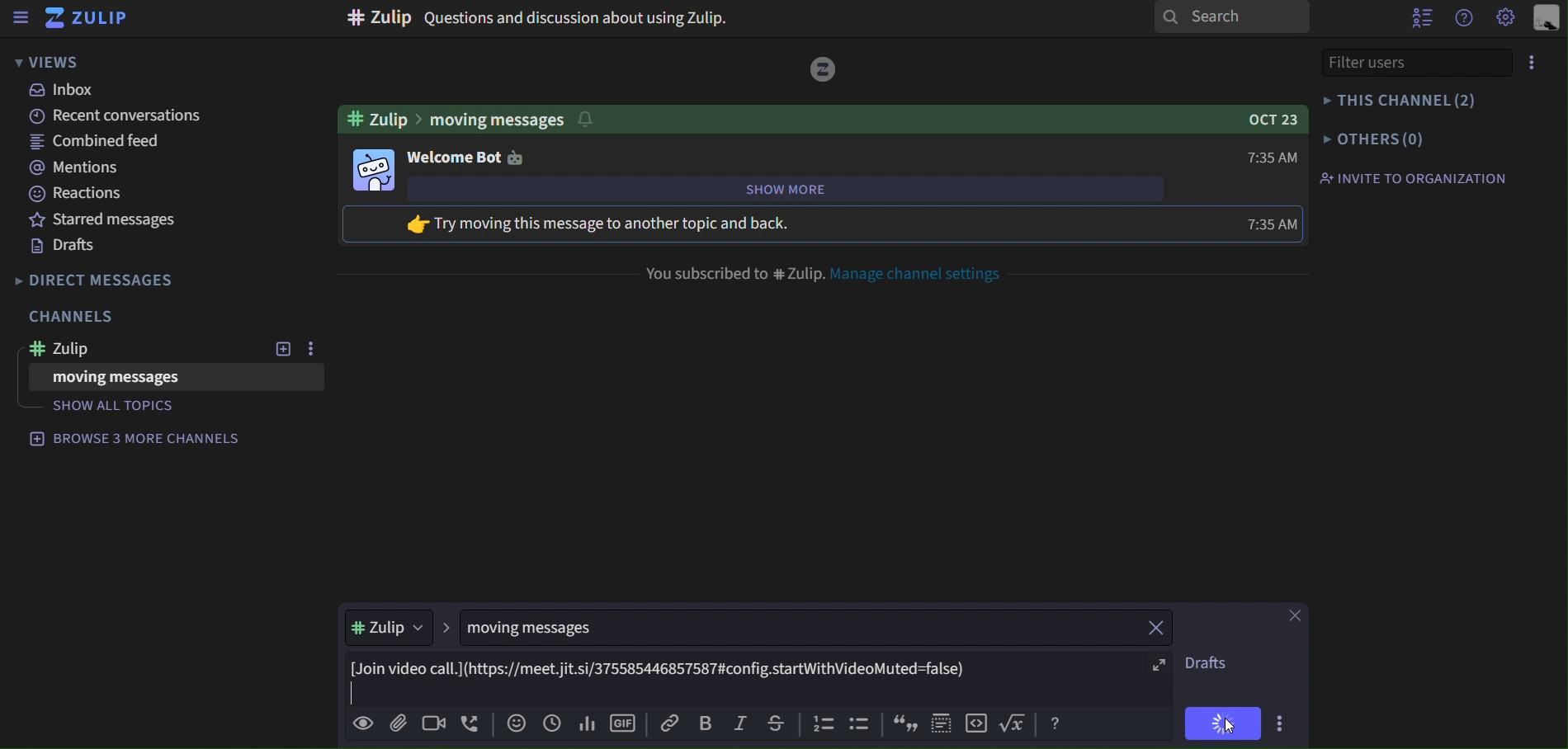 This screenshot has width=1568, height=749. What do you see at coordinates (1219, 723) in the screenshot?
I see `send` at bounding box center [1219, 723].